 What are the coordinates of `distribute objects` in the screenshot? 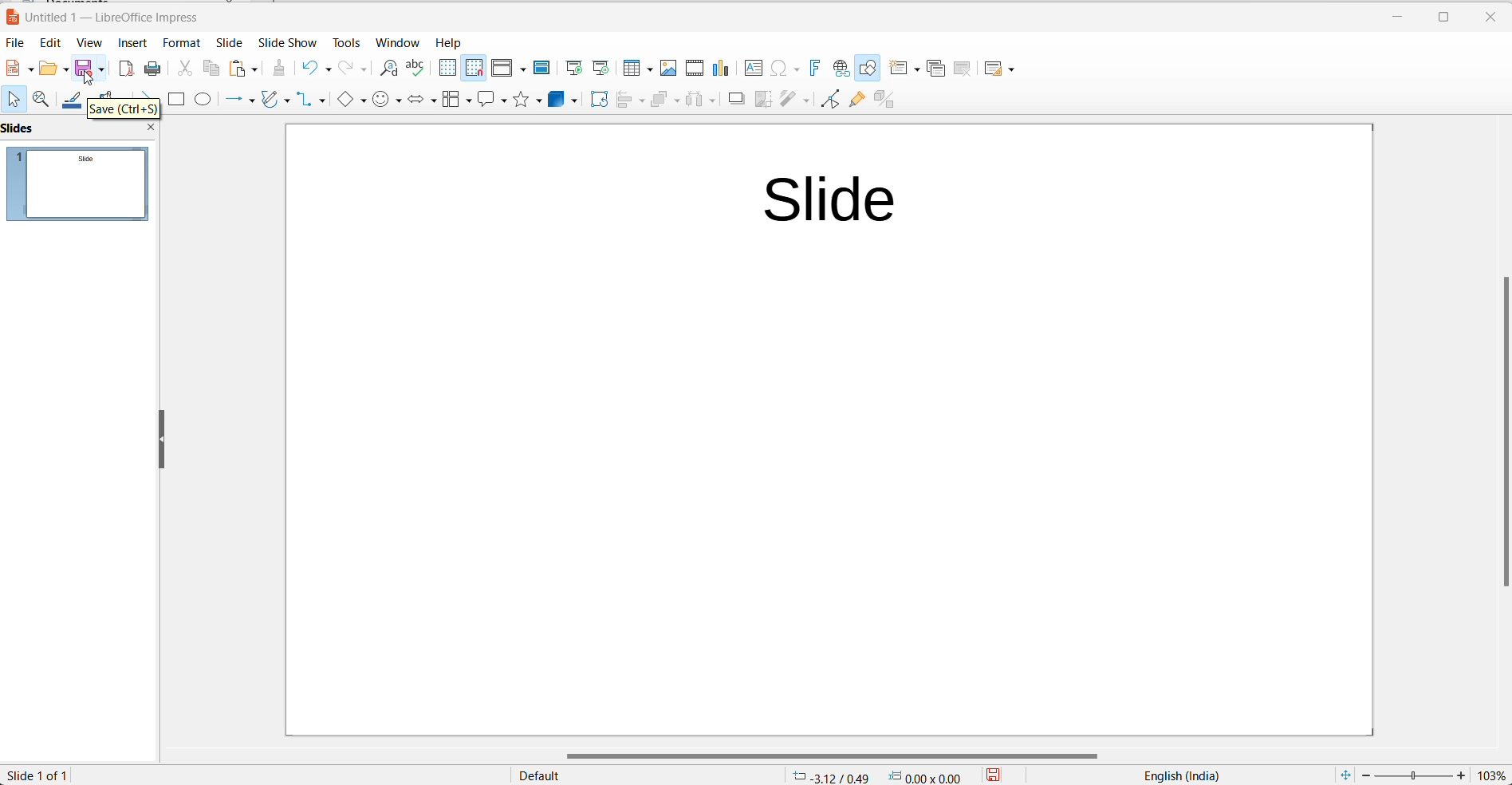 It's located at (699, 101).